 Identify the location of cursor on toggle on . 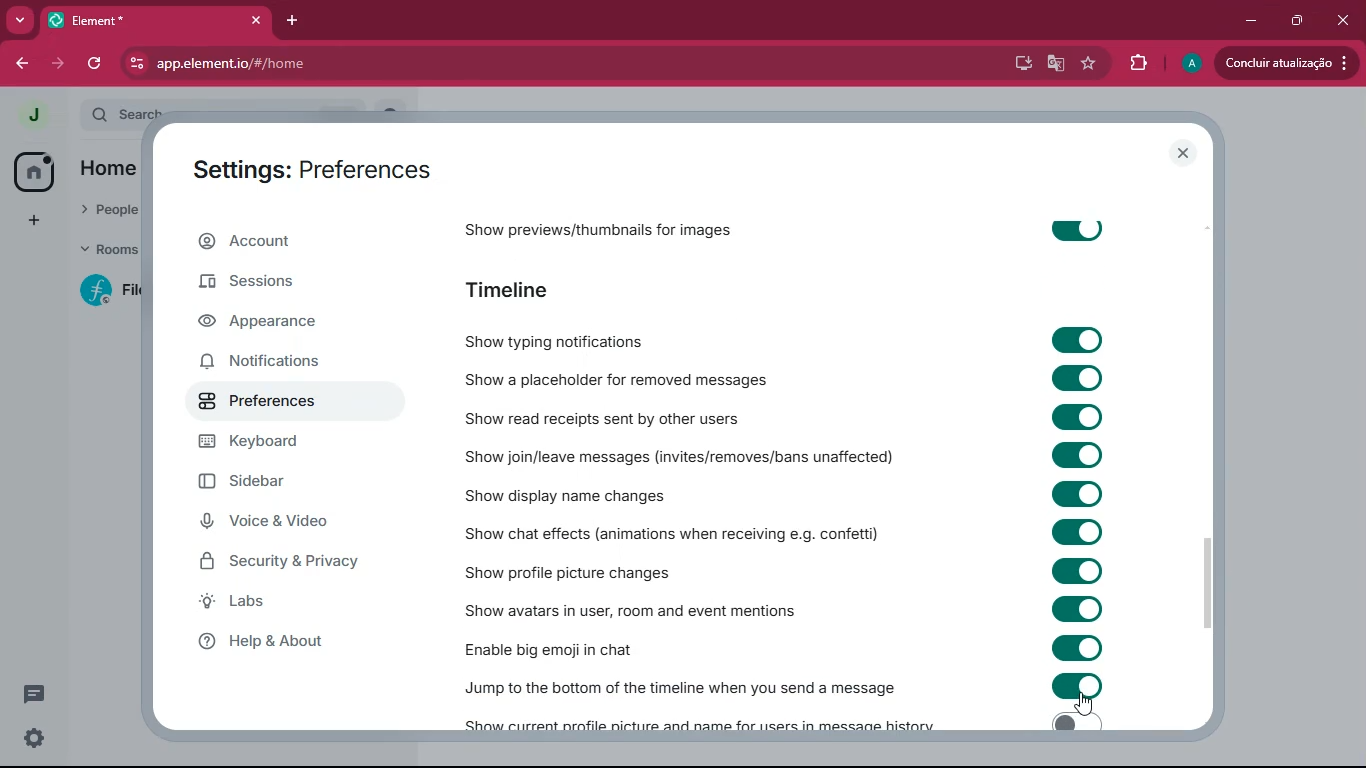
(1087, 705).